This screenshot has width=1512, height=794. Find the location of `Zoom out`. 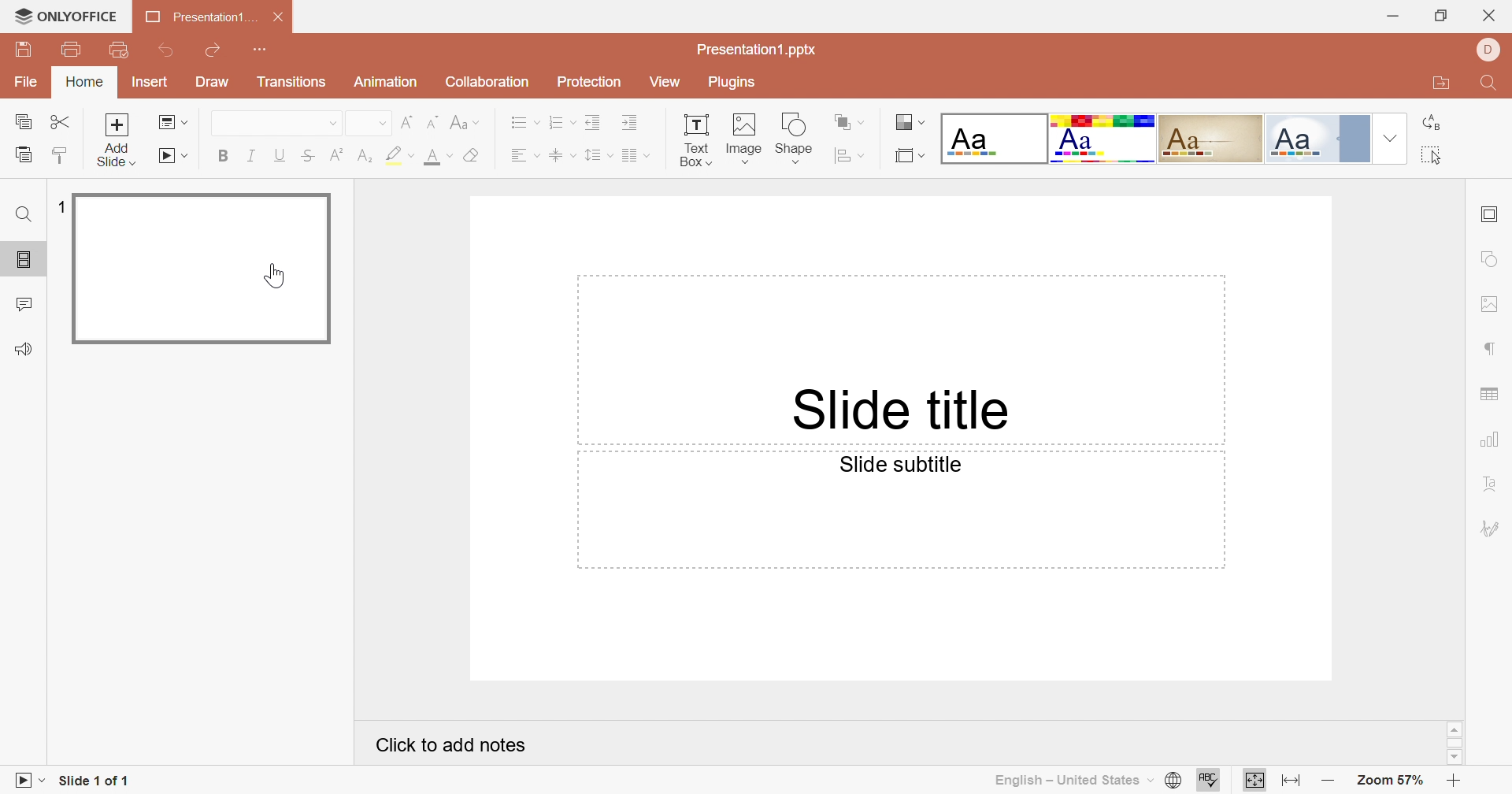

Zoom out is located at coordinates (1329, 781).